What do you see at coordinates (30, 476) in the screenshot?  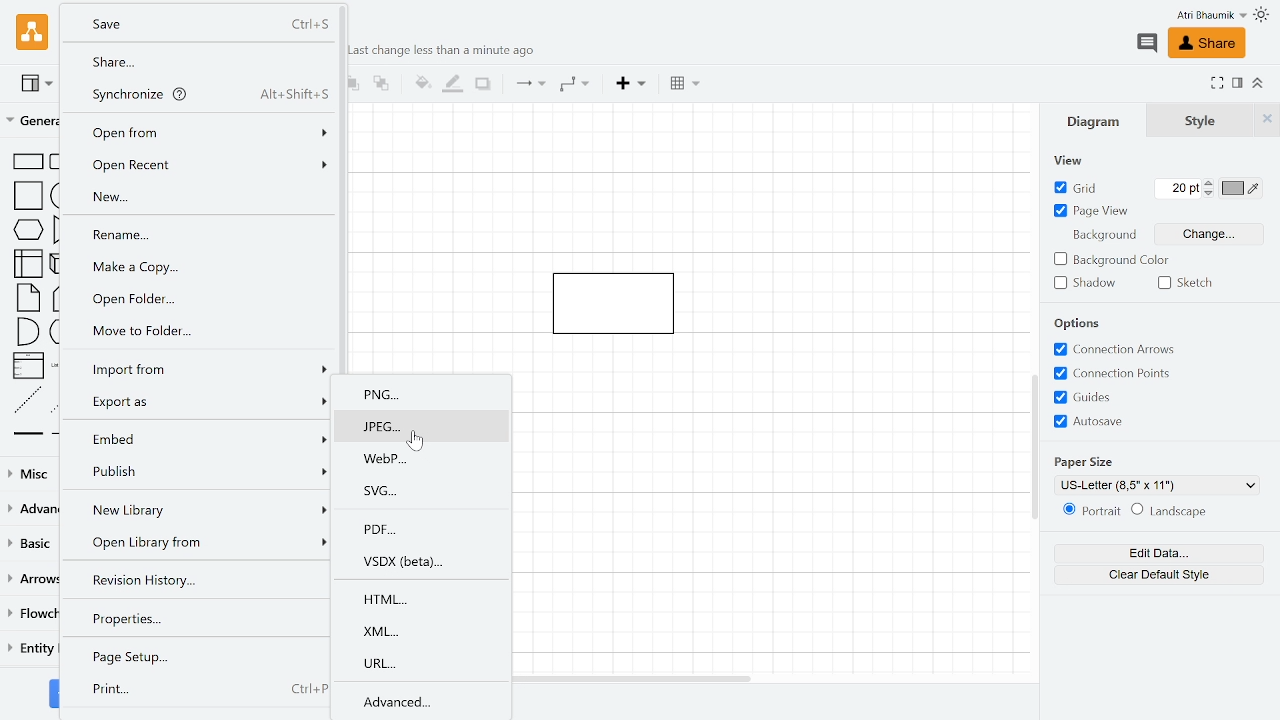 I see `Misc` at bounding box center [30, 476].